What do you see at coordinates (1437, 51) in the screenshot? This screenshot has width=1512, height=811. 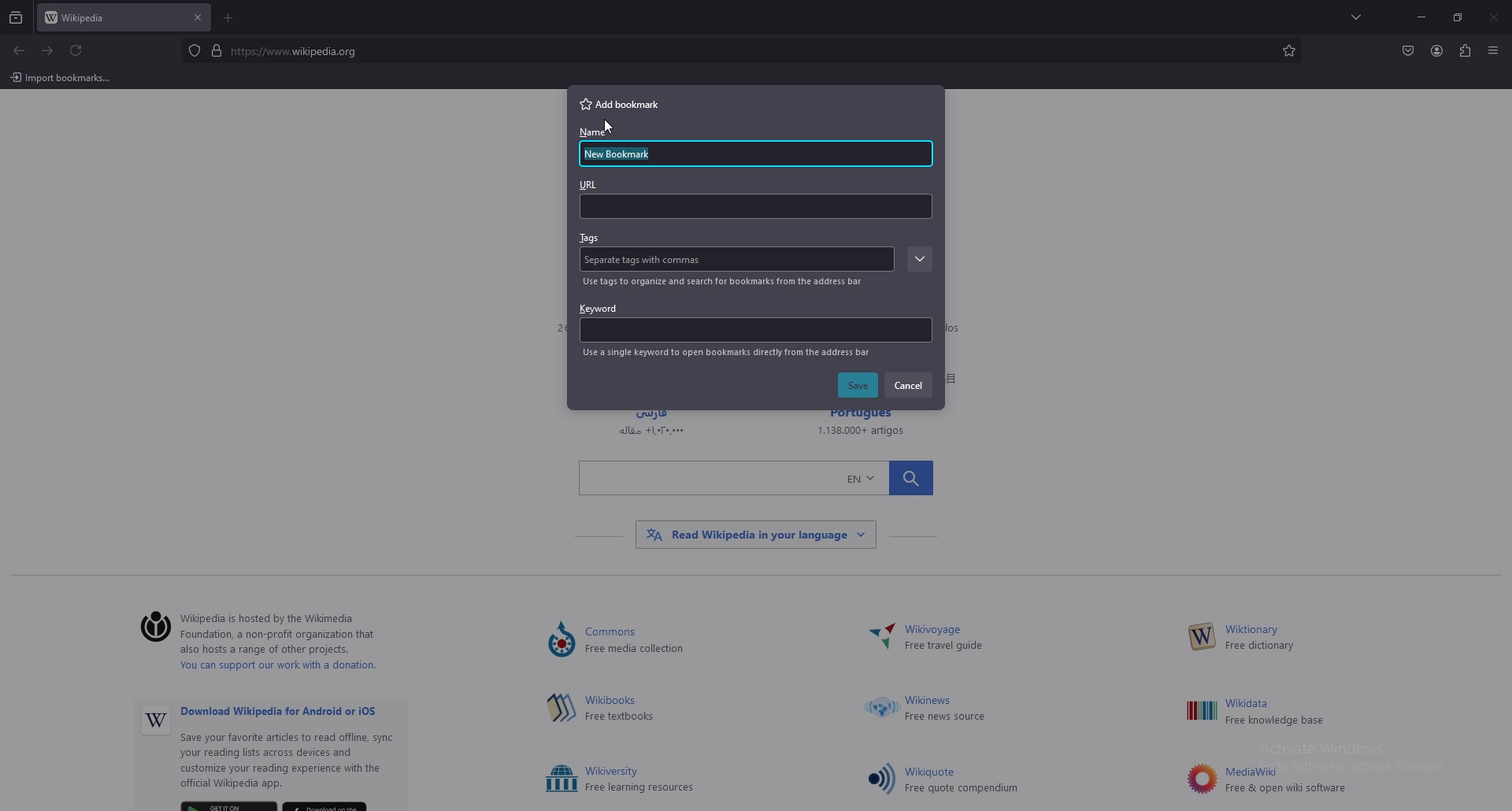 I see `profile` at bounding box center [1437, 51].